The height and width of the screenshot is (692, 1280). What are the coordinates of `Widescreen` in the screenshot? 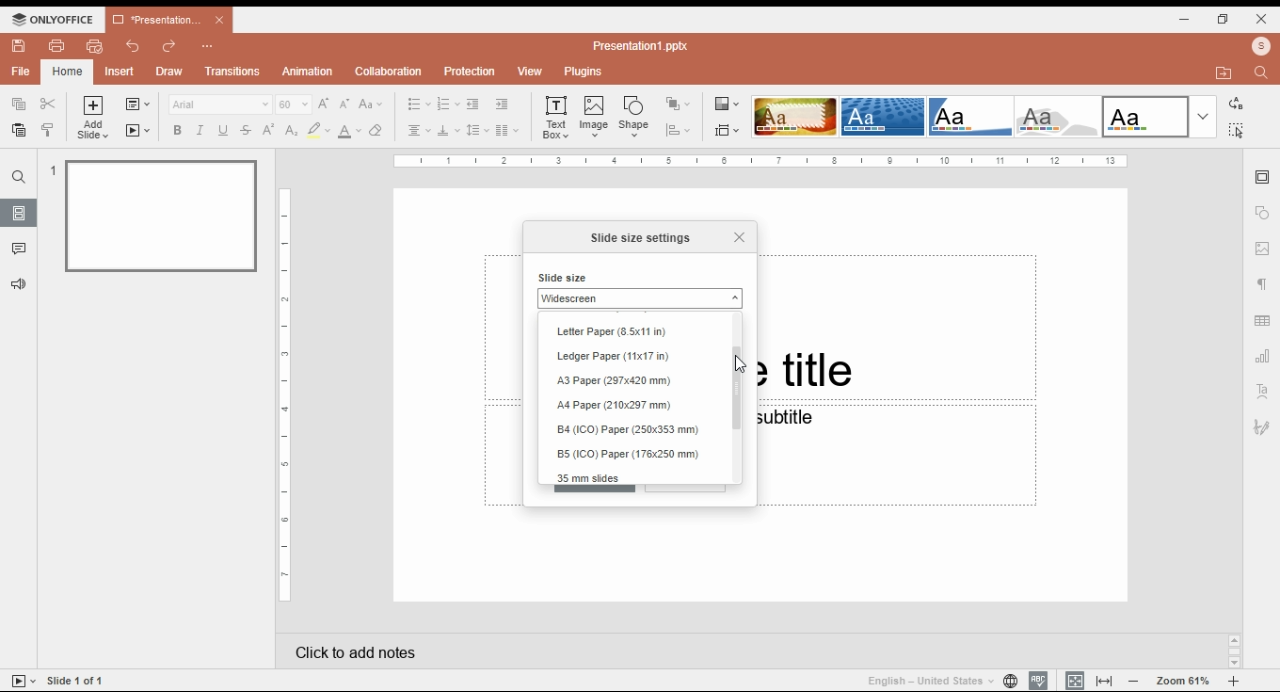 It's located at (639, 298).